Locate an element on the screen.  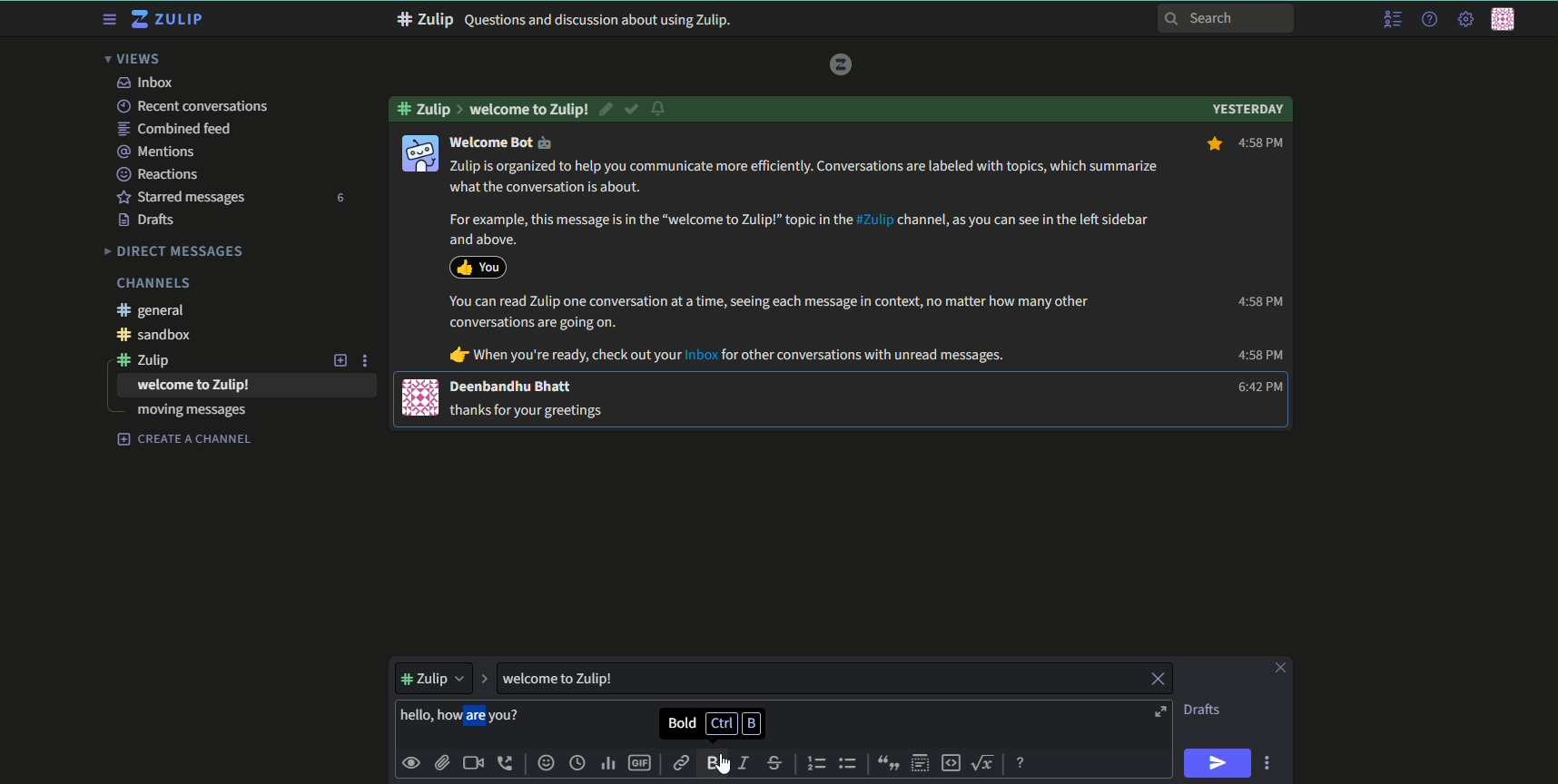
resolved is located at coordinates (633, 109).